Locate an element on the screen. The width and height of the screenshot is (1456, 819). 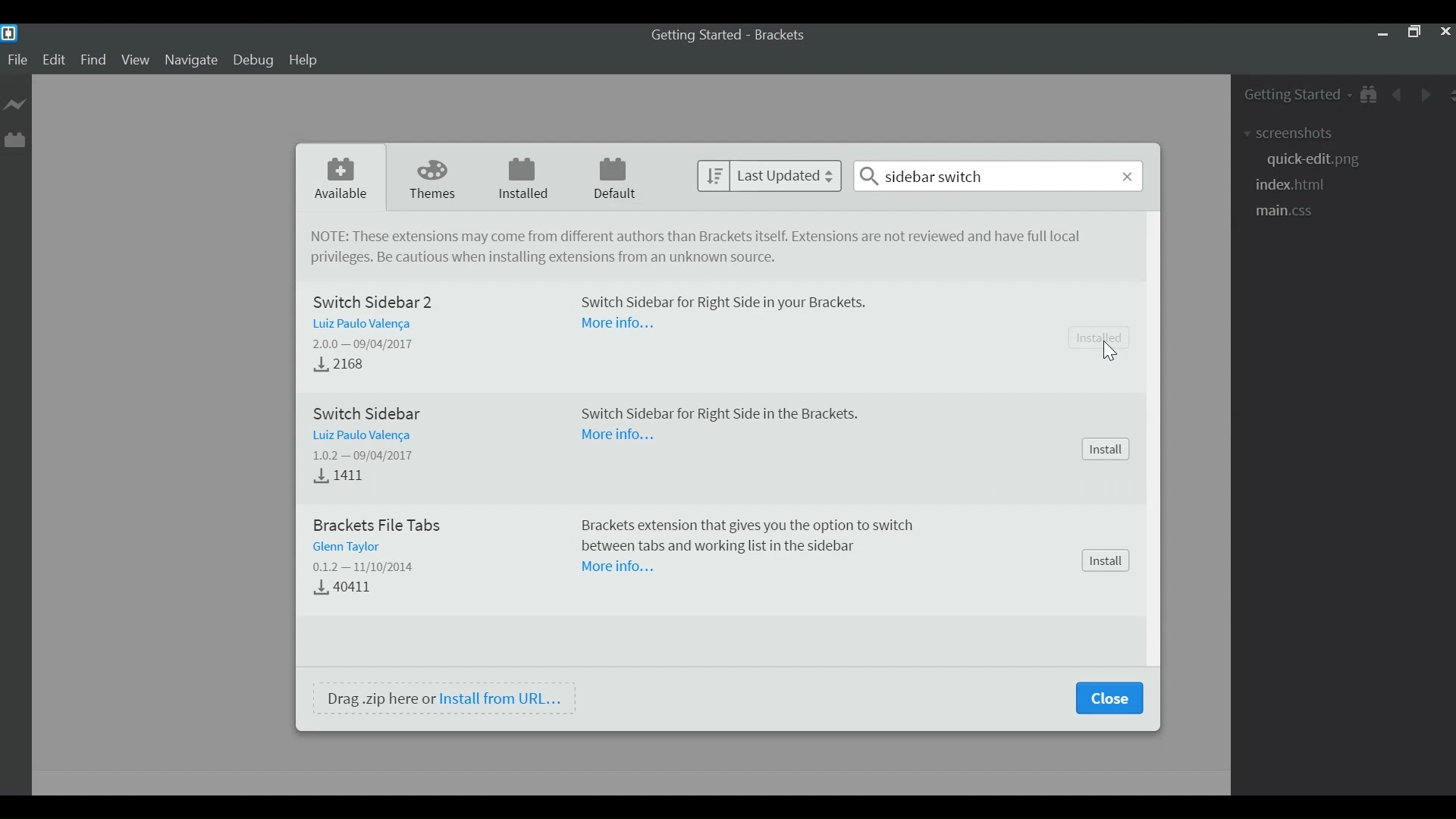
Switch Sidebar for Right Side in the Brackets is located at coordinates (720, 413).